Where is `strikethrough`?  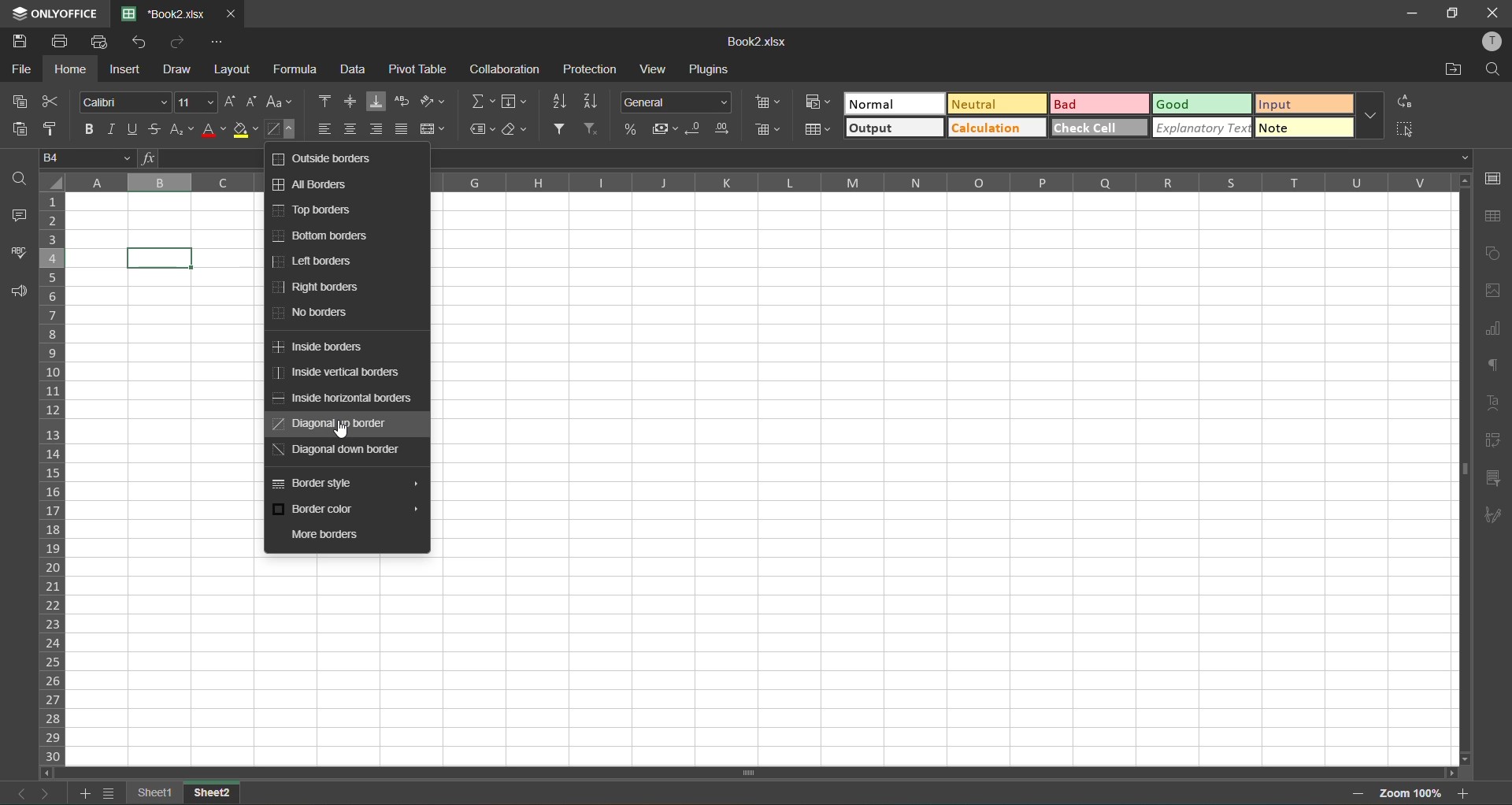
strikethrough is located at coordinates (156, 129).